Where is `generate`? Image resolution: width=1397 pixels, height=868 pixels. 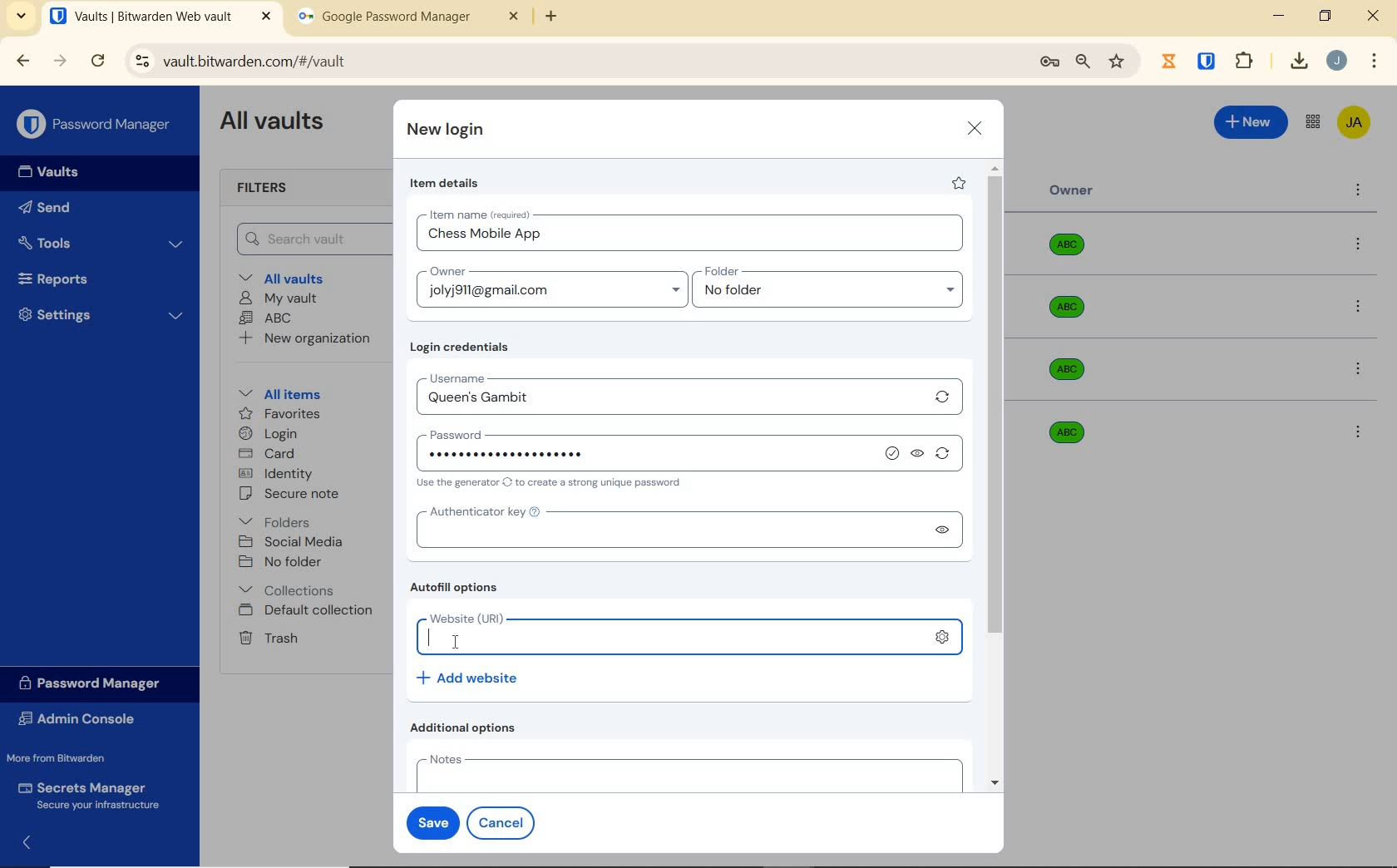
generate is located at coordinates (943, 397).